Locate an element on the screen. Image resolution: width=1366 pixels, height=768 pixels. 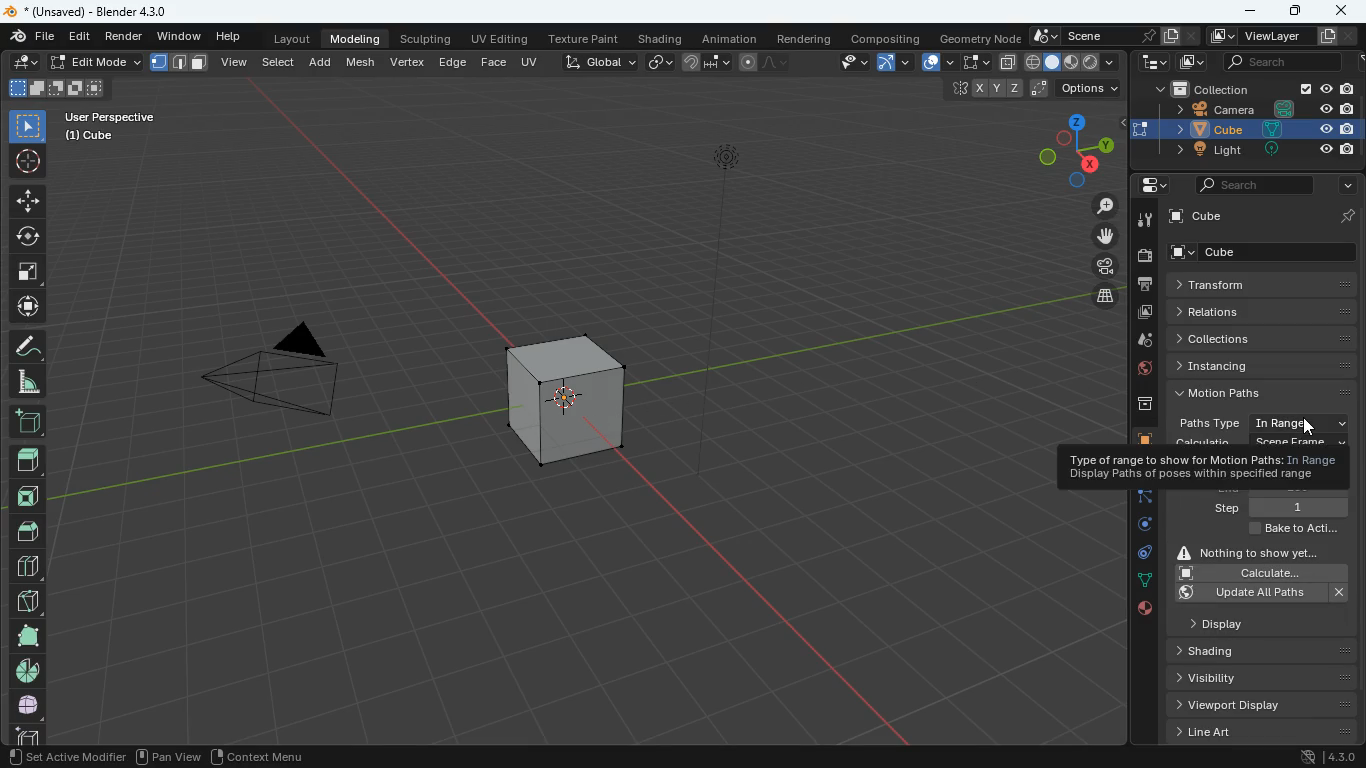
vertex is located at coordinates (407, 61).